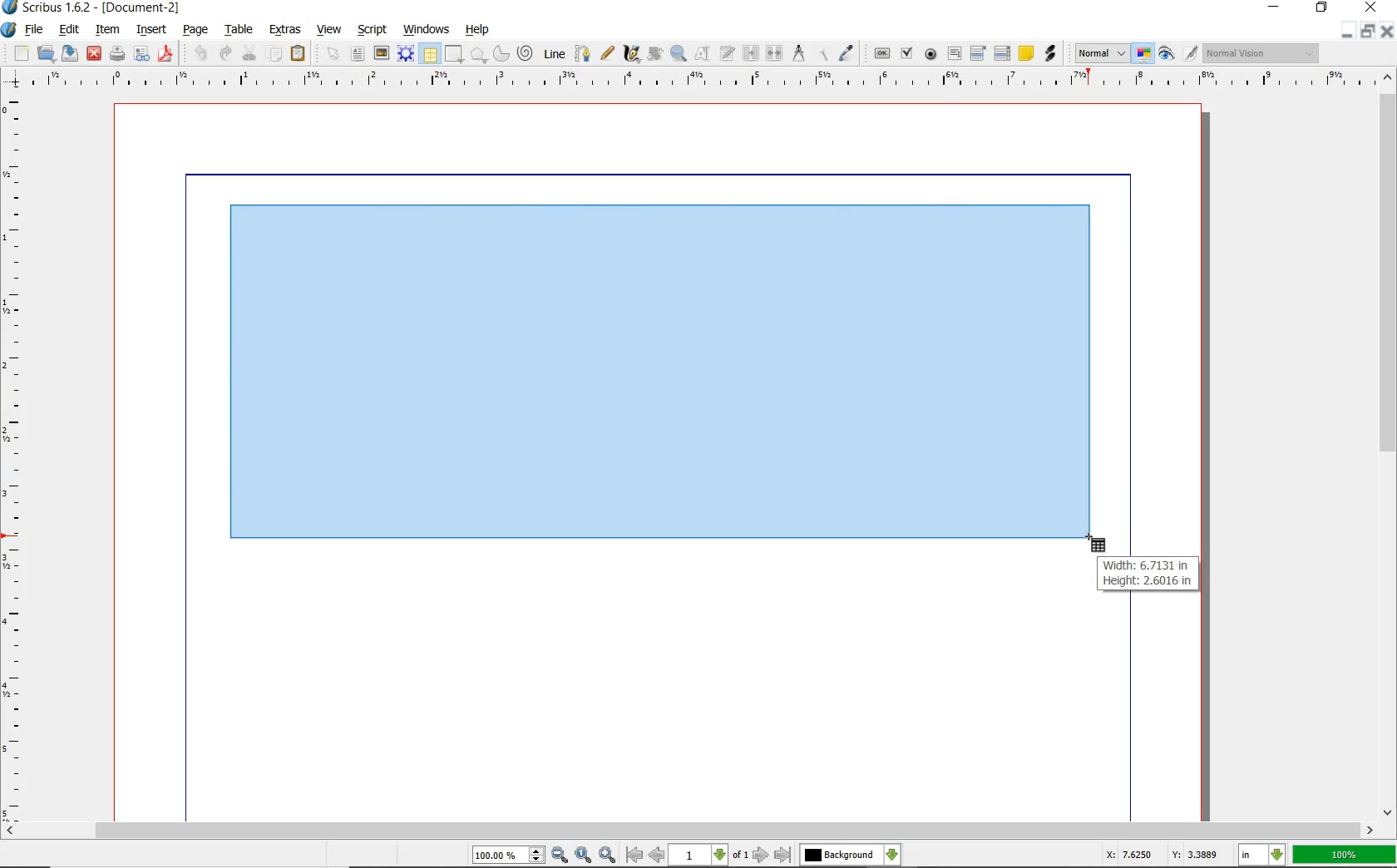  I want to click on preflight verifier, so click(143, 55).